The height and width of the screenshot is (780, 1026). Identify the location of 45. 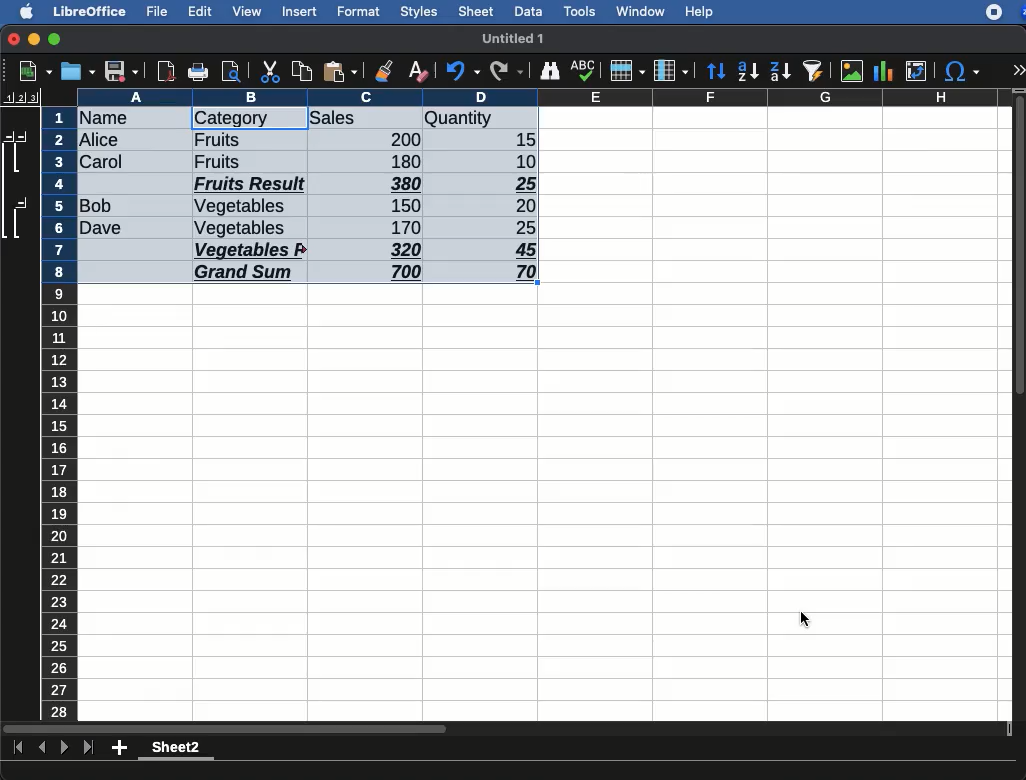
(525, 249).